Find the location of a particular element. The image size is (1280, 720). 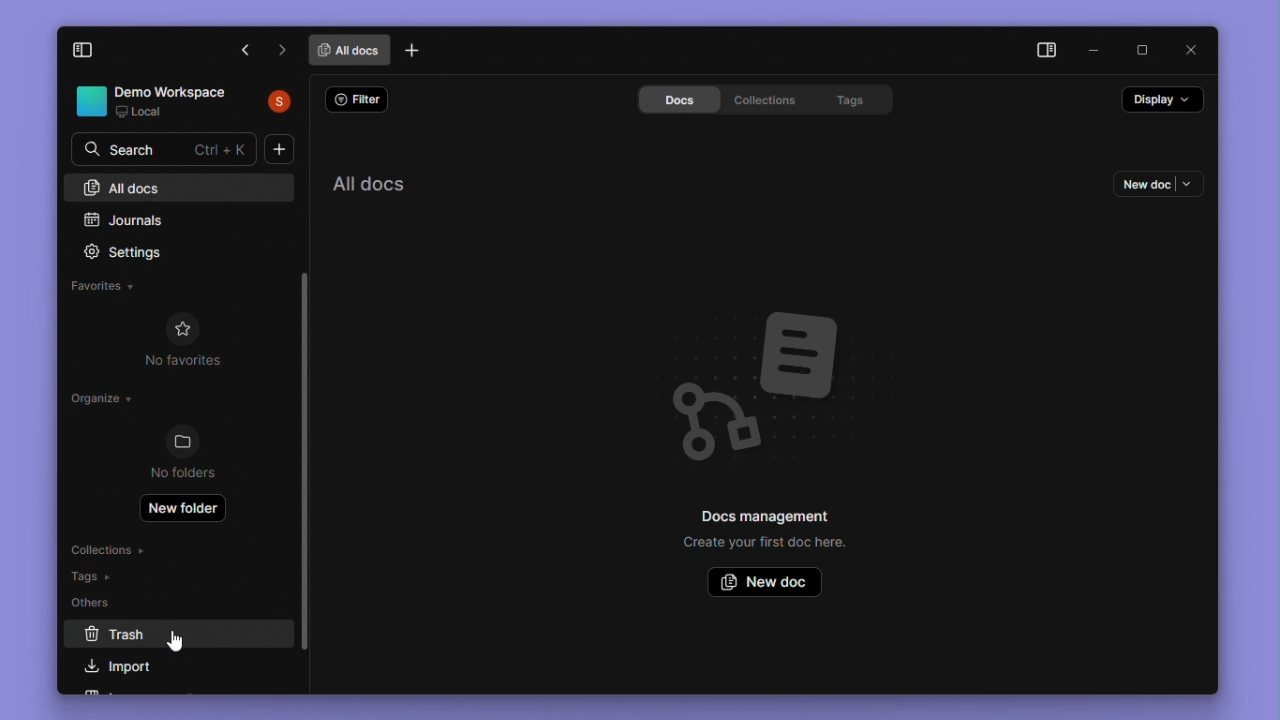

next tab is located at coordinates (285, 50).